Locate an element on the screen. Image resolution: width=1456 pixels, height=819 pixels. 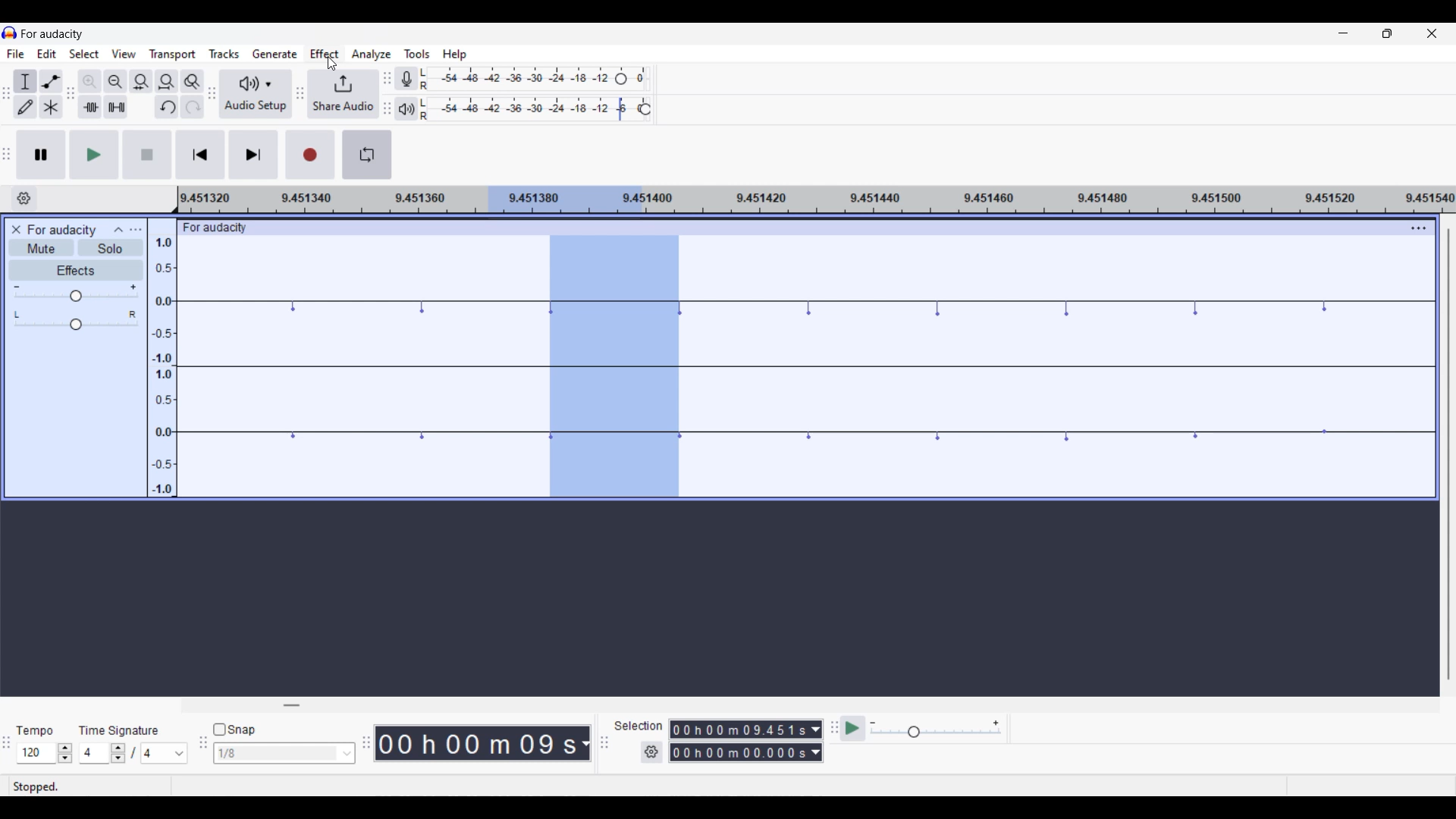
Enable looping is located at coordinates (367, 155).